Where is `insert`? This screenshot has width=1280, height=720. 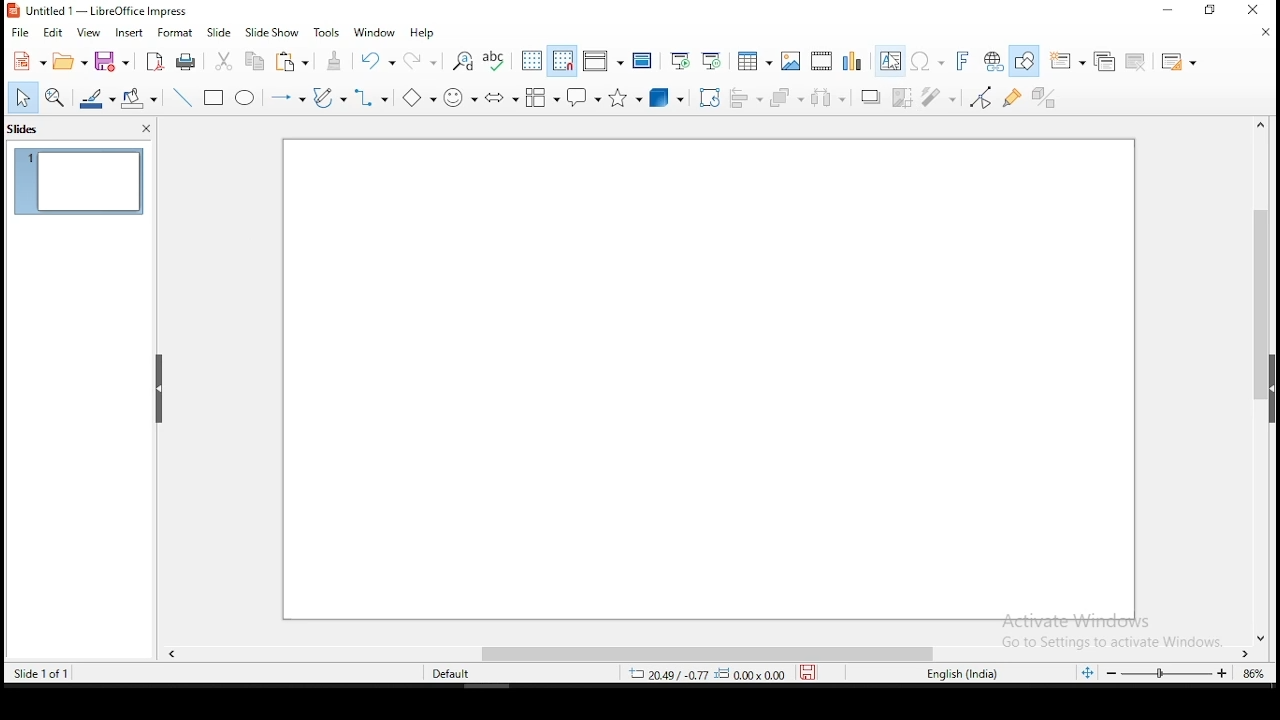
insert is located at coordinates (131, 35).